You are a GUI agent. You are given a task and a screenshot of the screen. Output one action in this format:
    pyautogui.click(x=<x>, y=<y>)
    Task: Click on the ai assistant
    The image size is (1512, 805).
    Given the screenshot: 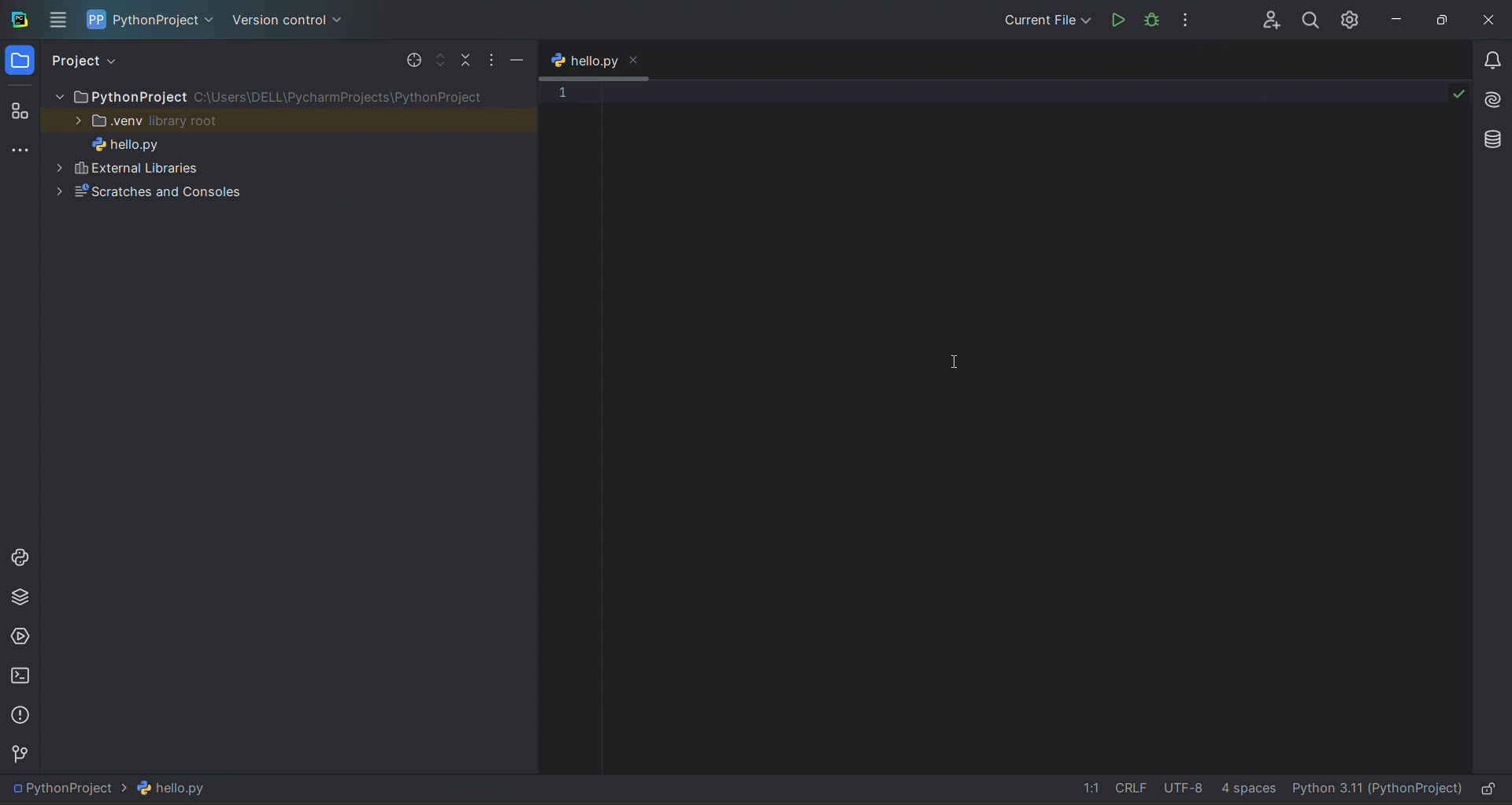 What is the action you would take?
    pyautogui.click(x=1492, y=98)
    